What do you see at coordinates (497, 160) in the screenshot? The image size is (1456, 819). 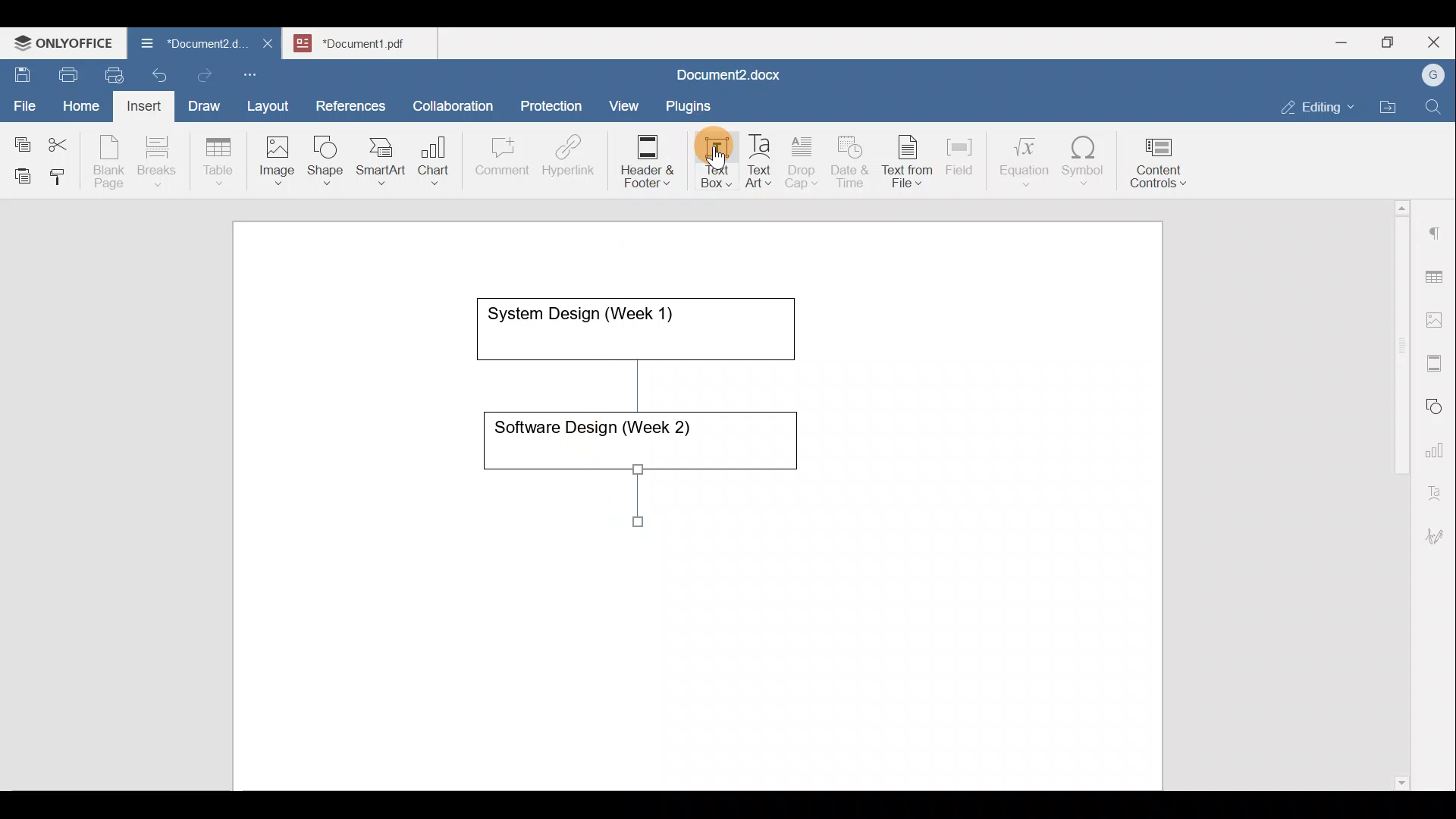 I see `Comment` at bounding box center [497, 160].